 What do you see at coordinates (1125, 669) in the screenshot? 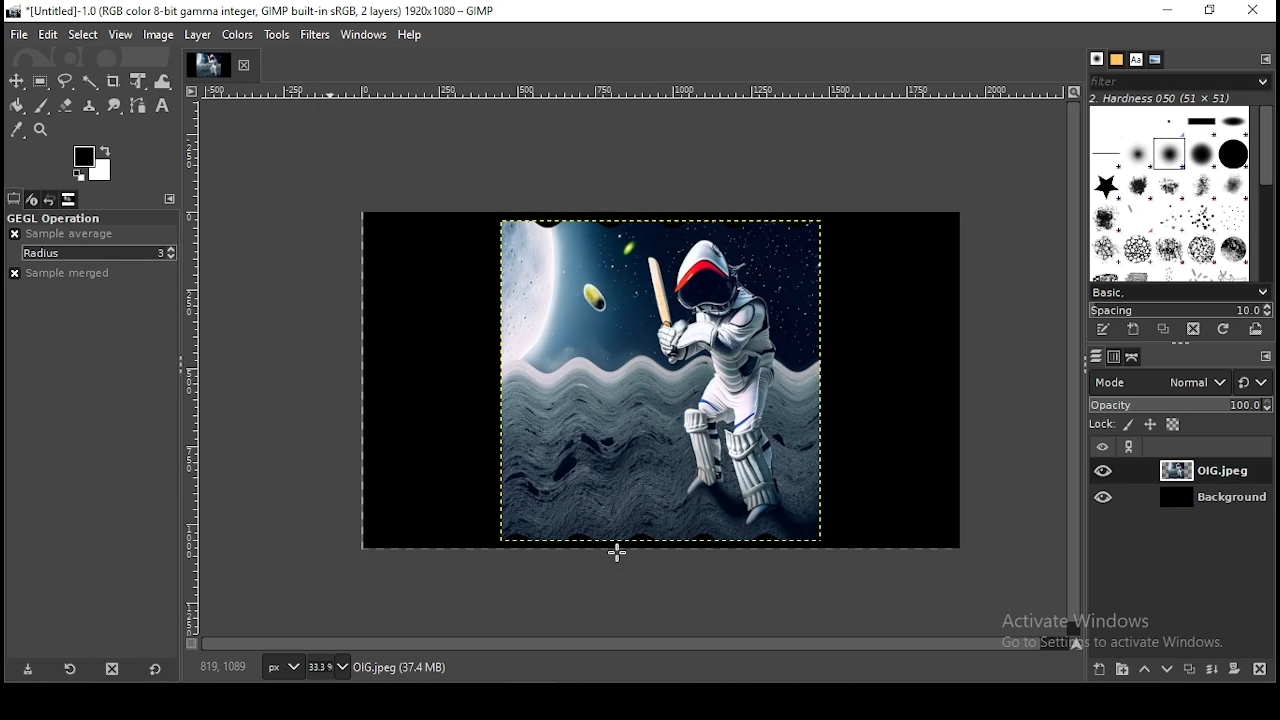
I see `create a new layer group` at bounding box center [1125, 669].